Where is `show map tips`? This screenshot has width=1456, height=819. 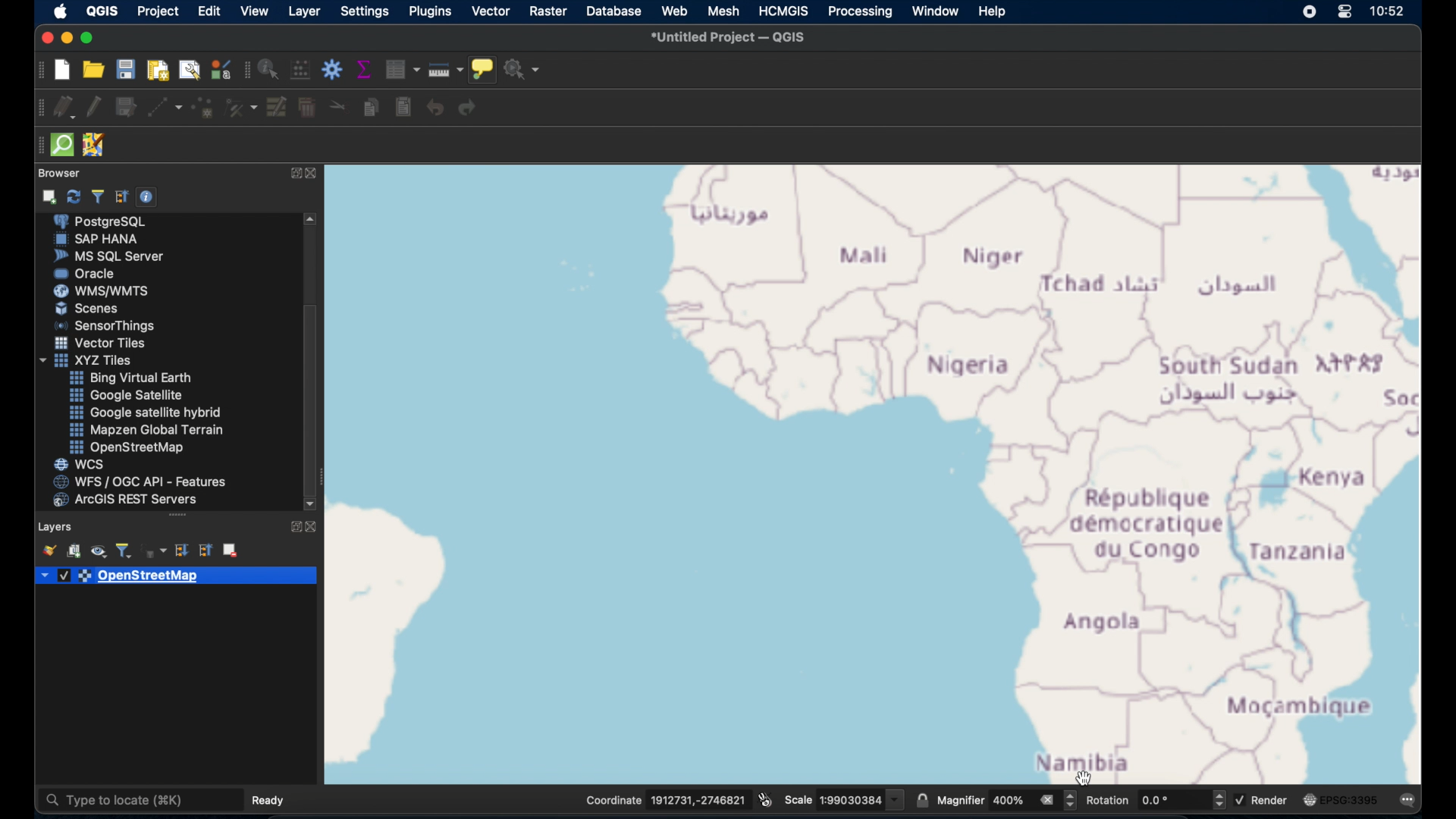 show map tips is located at coordinates (484, 69).